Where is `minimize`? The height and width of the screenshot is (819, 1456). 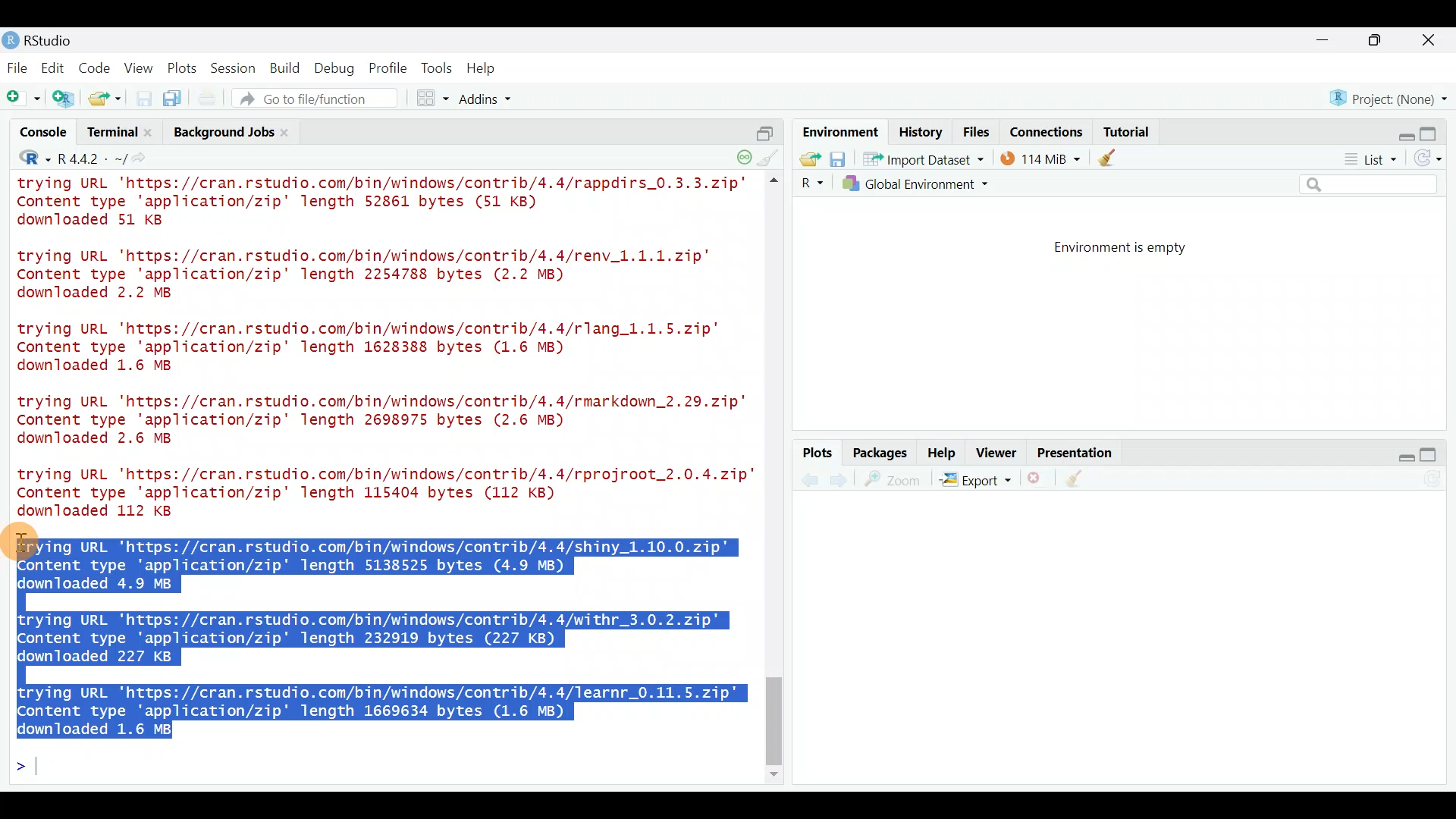
minimize is located at coordinates (1330, 41).